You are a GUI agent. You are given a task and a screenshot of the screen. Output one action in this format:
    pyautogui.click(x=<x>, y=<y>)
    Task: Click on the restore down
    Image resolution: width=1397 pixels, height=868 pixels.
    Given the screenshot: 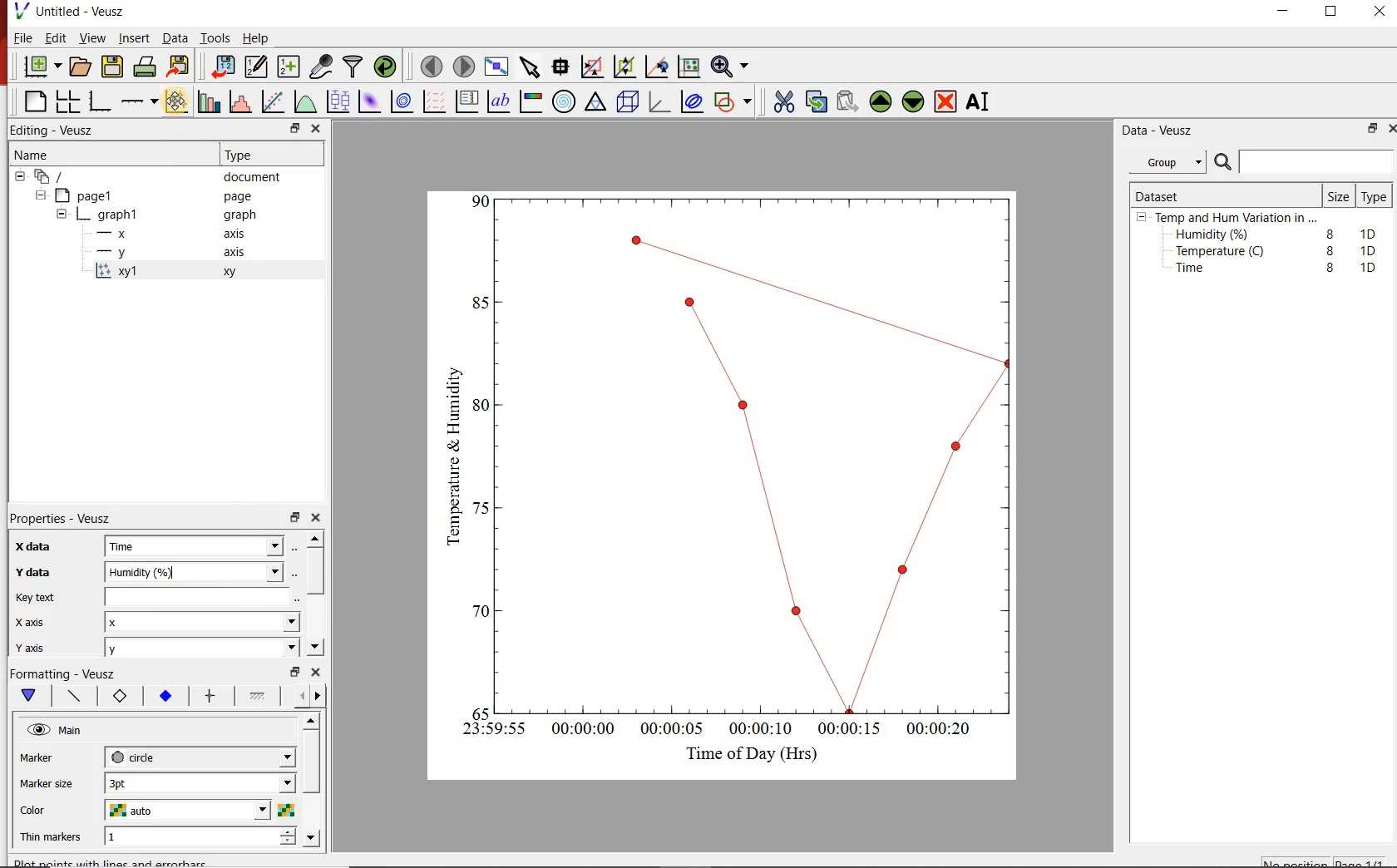 What is the action you would take?
    pyautogui.click(x=294, y=518)
    